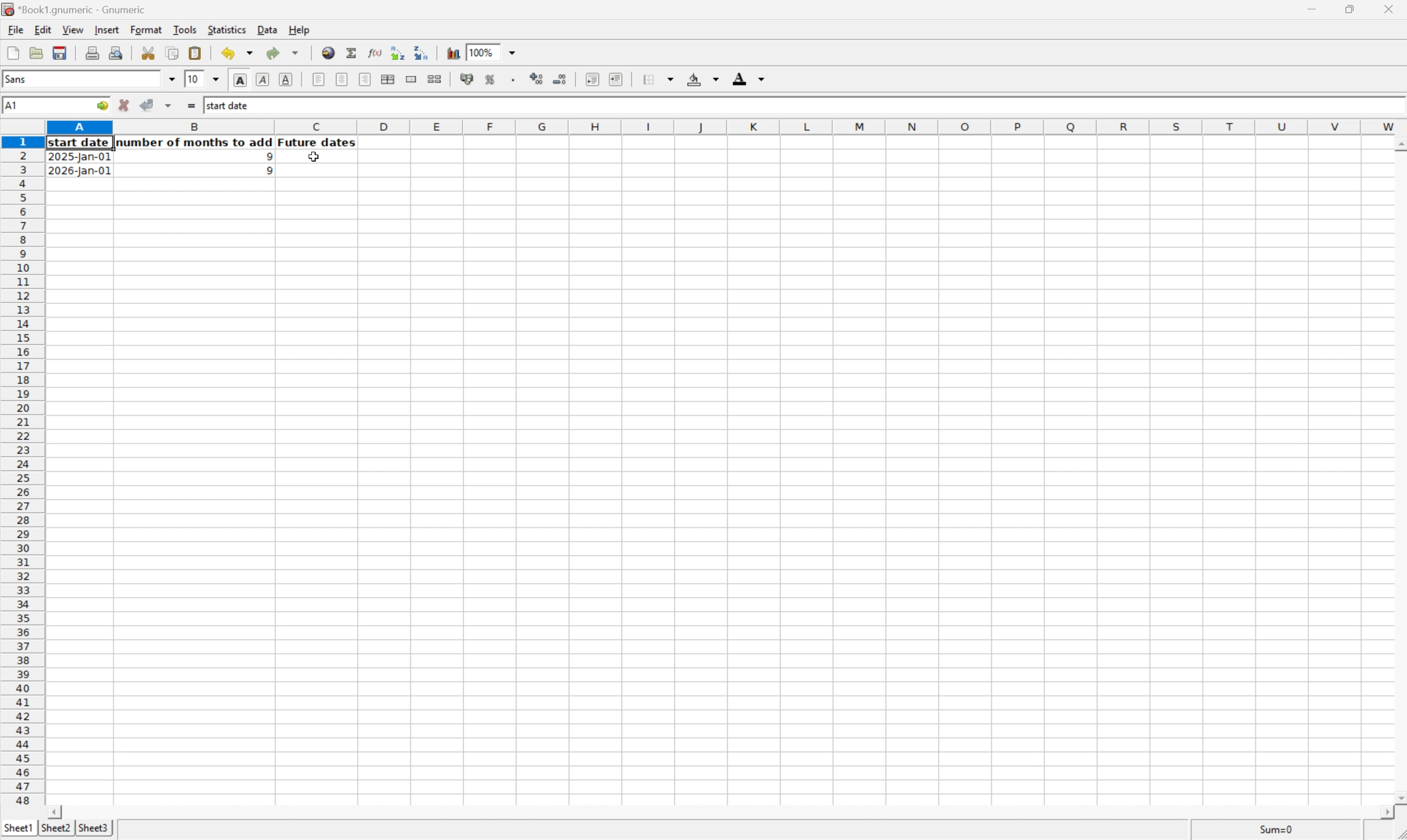 The width and height of the screenshot is (1407, 840). Describe the element at coordinates (79, 172) in the screenshot. I see `2026-jan-01` at that location.